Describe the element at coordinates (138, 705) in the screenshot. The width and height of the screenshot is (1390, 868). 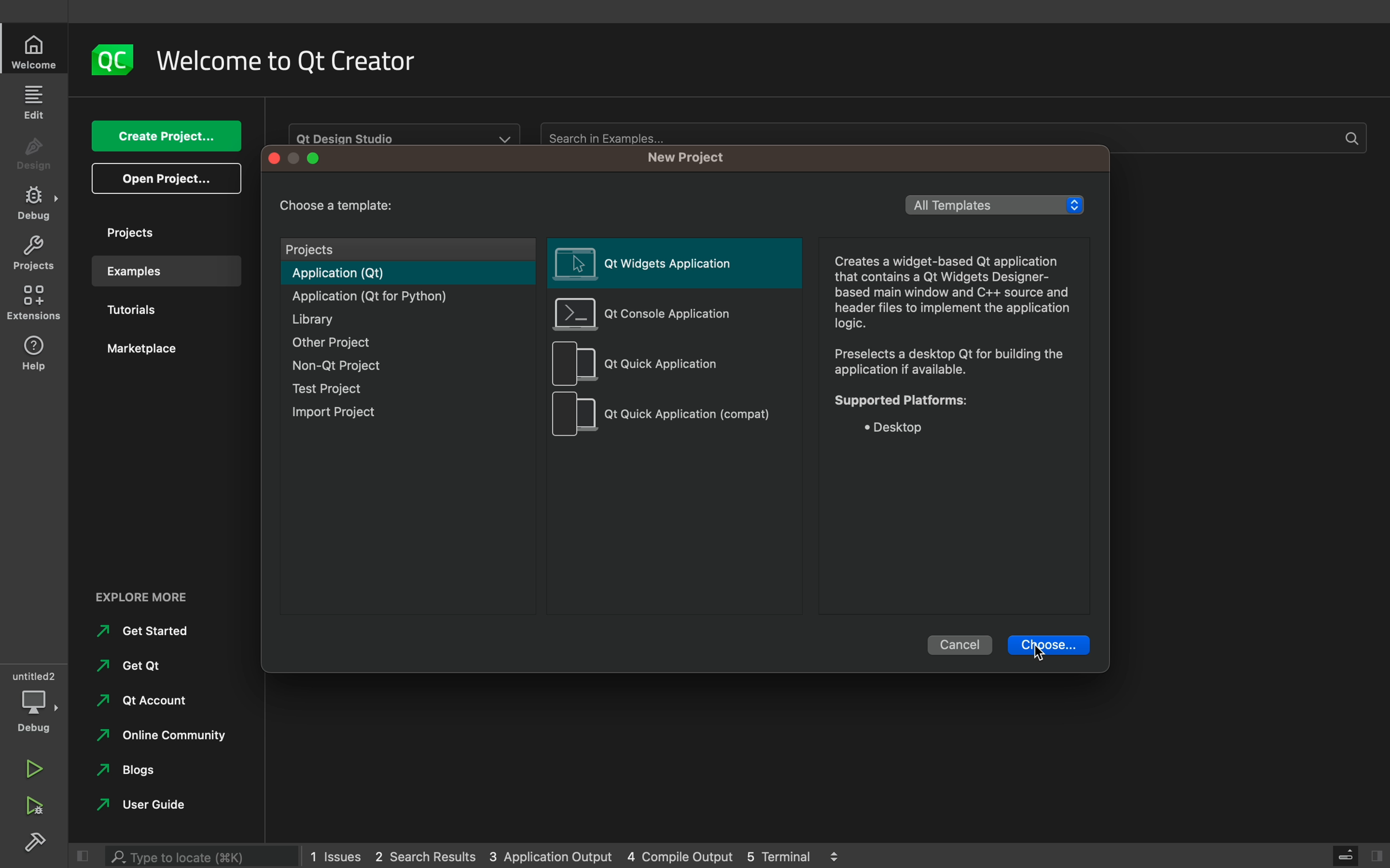
I see `at account` at that location.